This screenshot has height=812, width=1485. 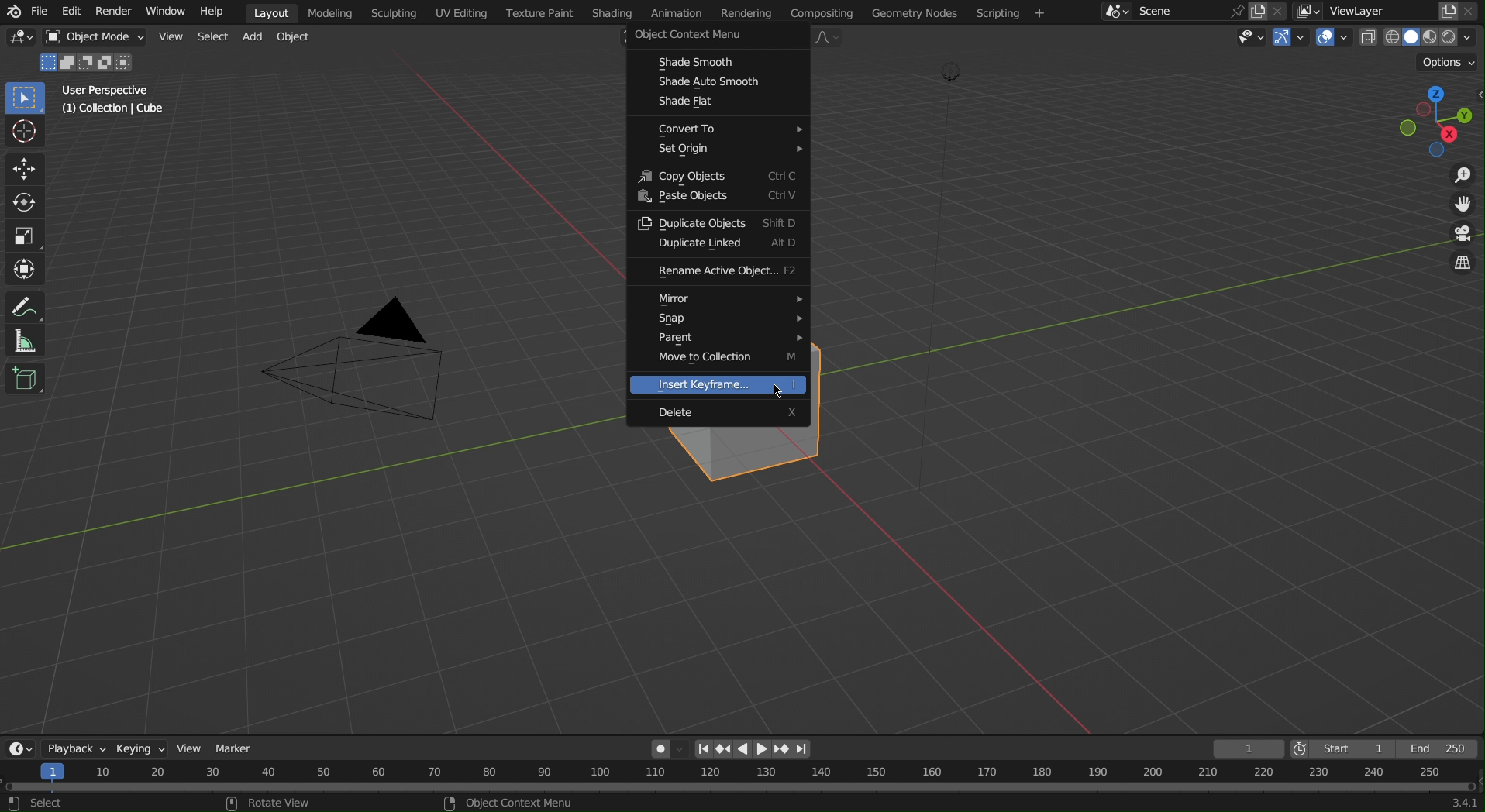 I want to click on UV Editing, so click(x=460, y=13).